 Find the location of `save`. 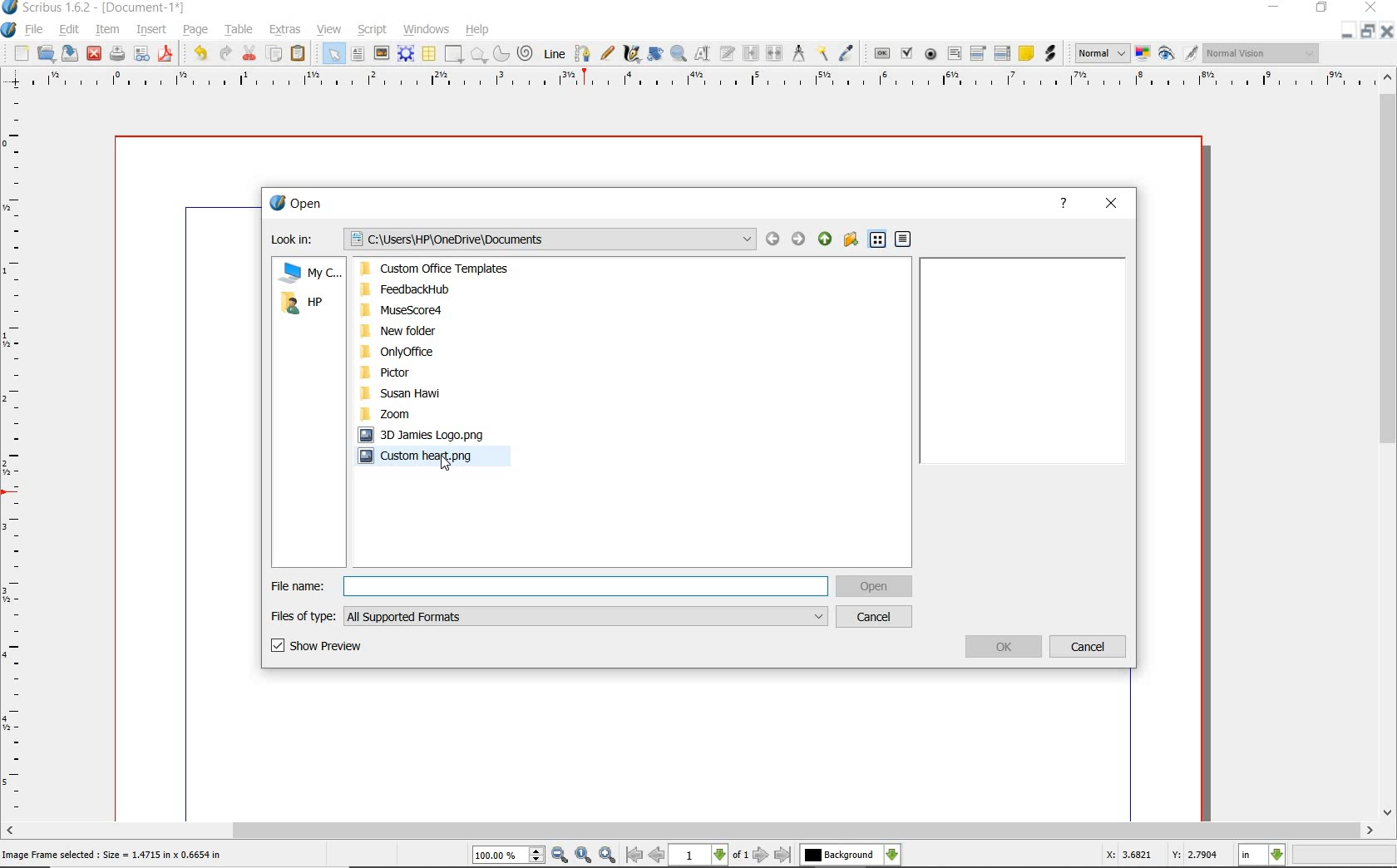

save is located at coordinates (71, 52).